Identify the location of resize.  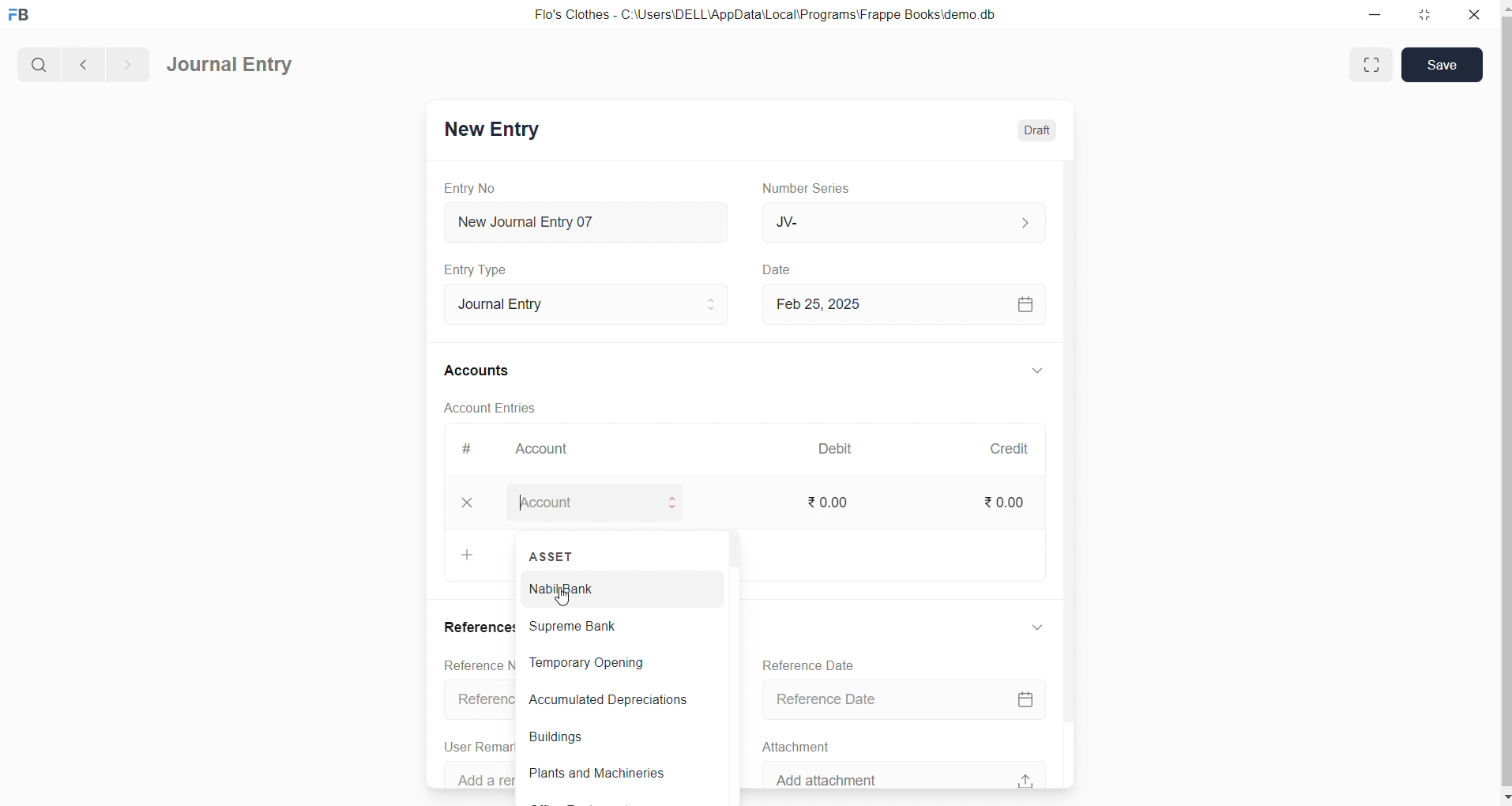
(1429, 16).